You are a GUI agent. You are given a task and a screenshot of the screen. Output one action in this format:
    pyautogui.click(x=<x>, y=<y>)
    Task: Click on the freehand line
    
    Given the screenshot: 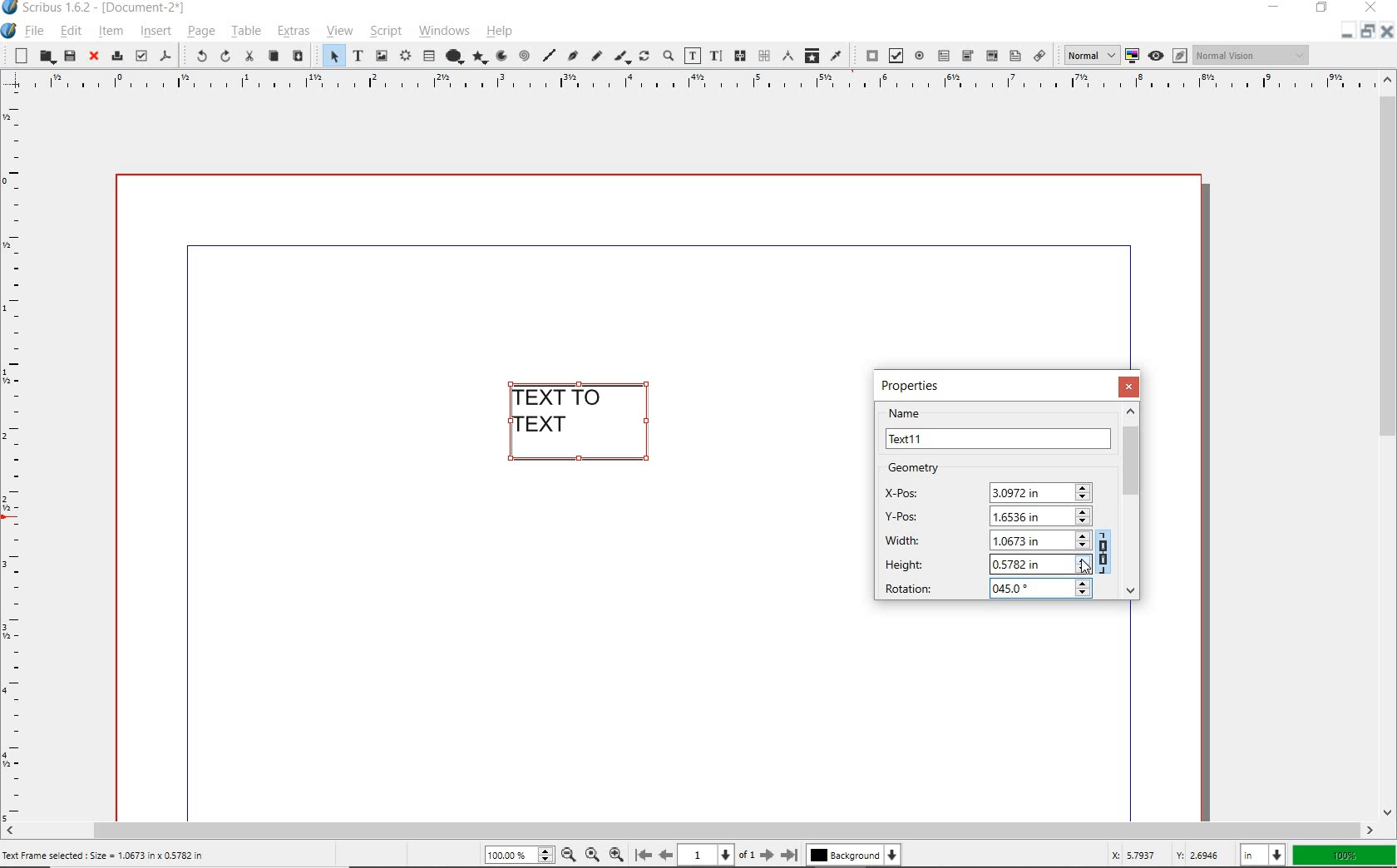 What is the action you would take?
    pyautogui.click(x=597, y=55)
    